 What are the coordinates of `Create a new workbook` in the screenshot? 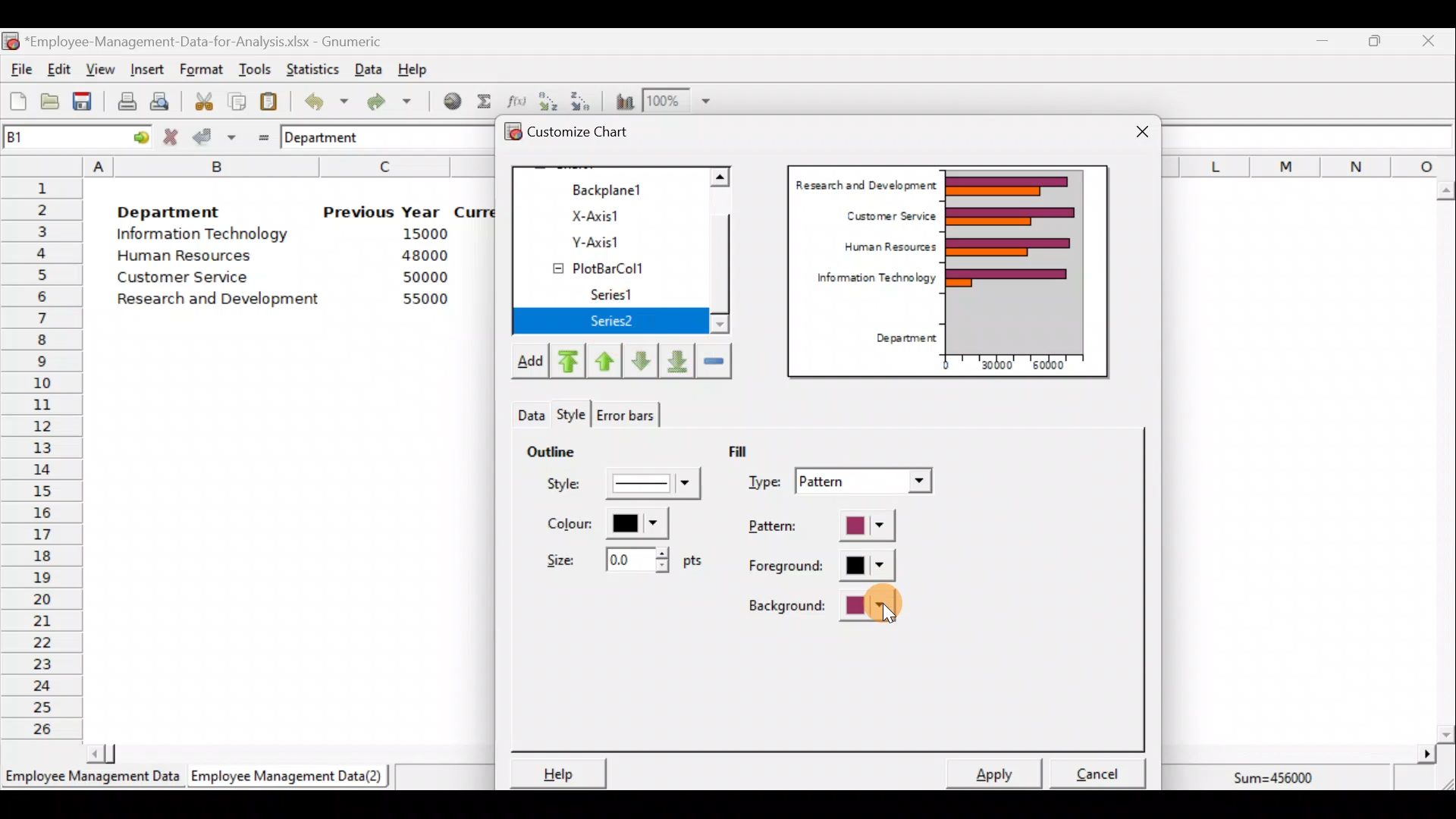 It's located at (18, 101).